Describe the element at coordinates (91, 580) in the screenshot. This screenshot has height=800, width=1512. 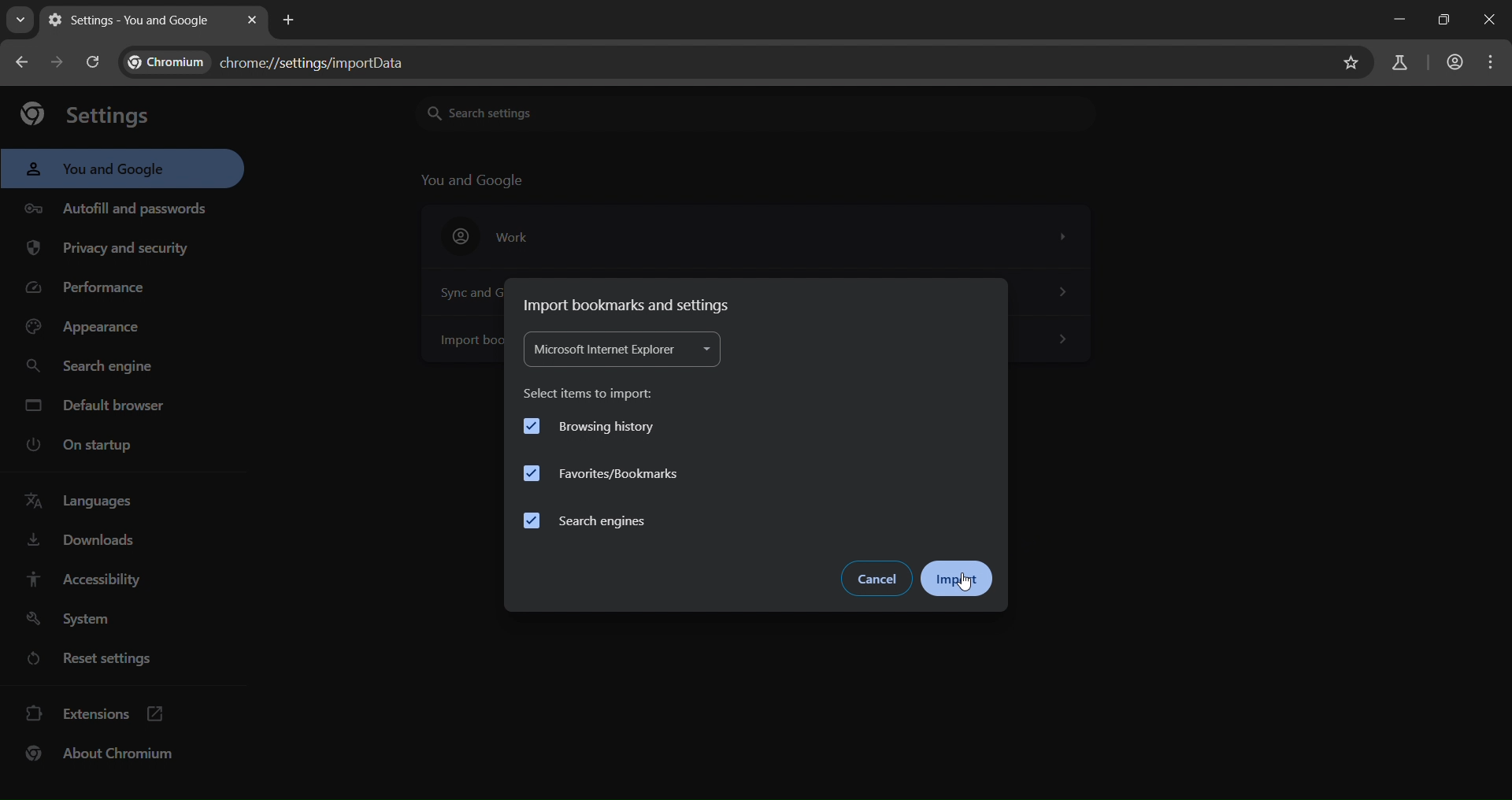
I see `accessibility` at that location.